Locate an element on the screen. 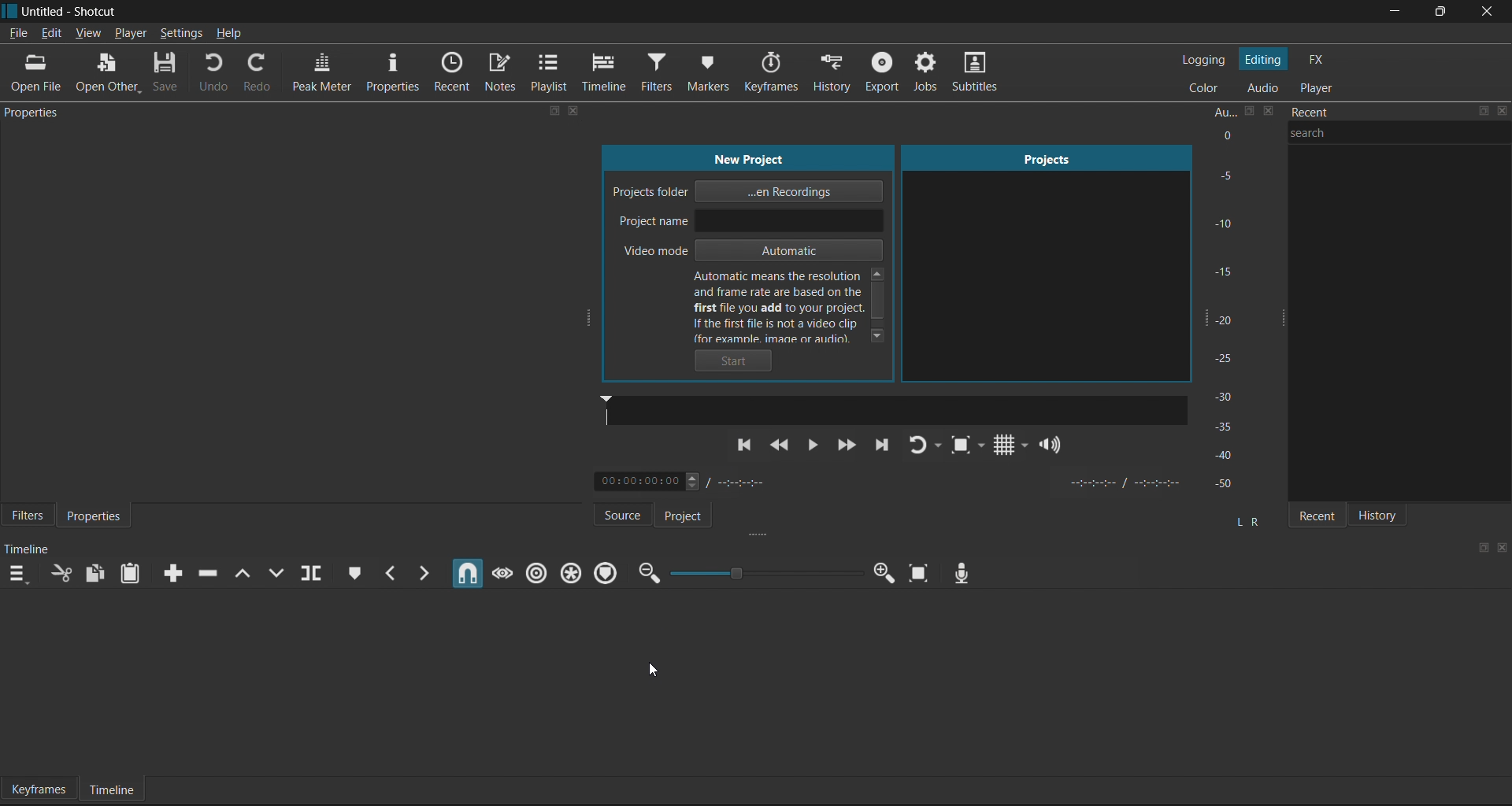 Image resolution: width=1512 pixels, height=806 pixels. Start is located at coordinates (738, 361).